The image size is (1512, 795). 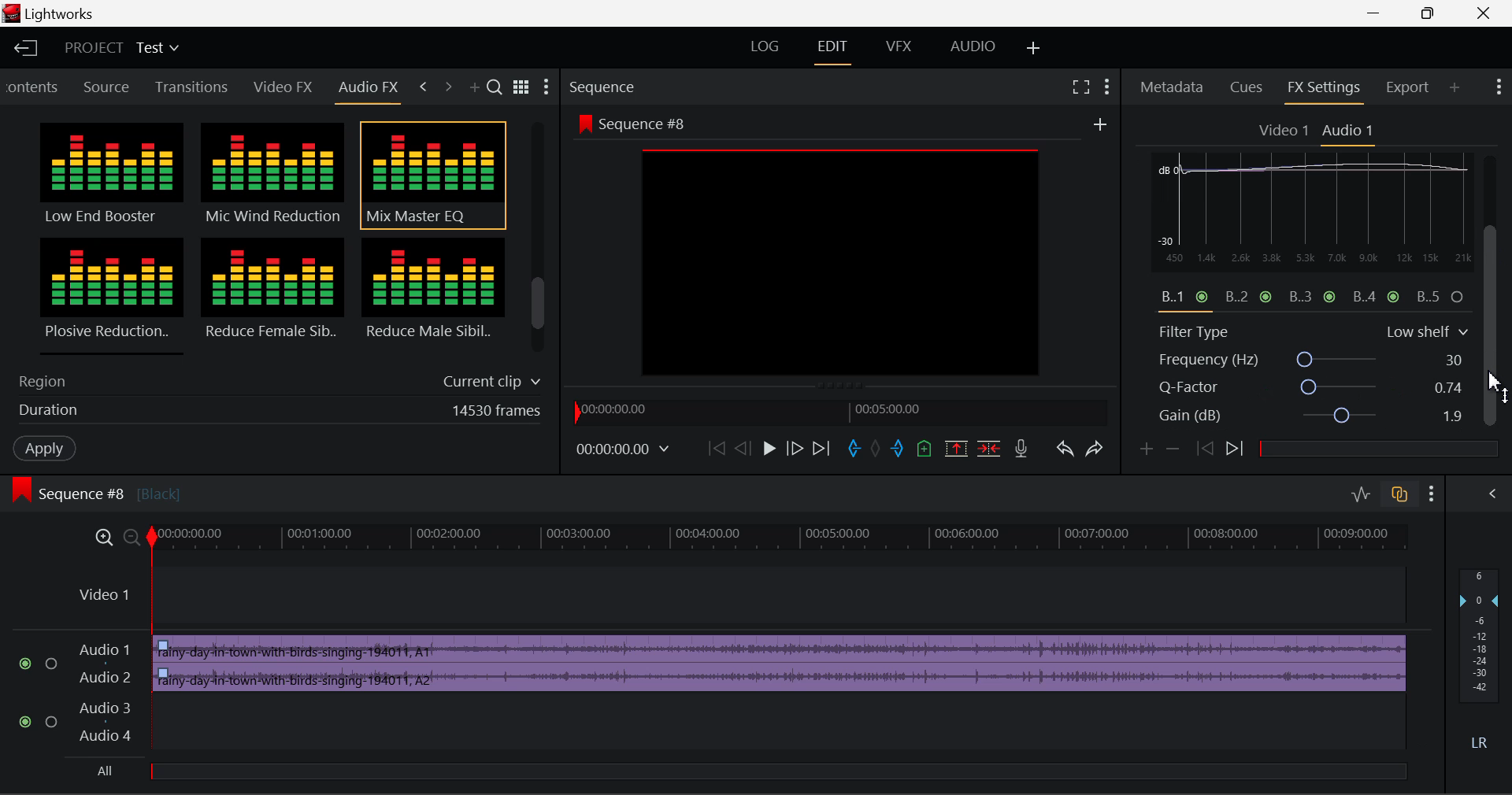 What do you see at coordinates (1362, 495) in the screenshot?
I see `Toggle Audio Levels Editing` at bounding box center [1362, 495].